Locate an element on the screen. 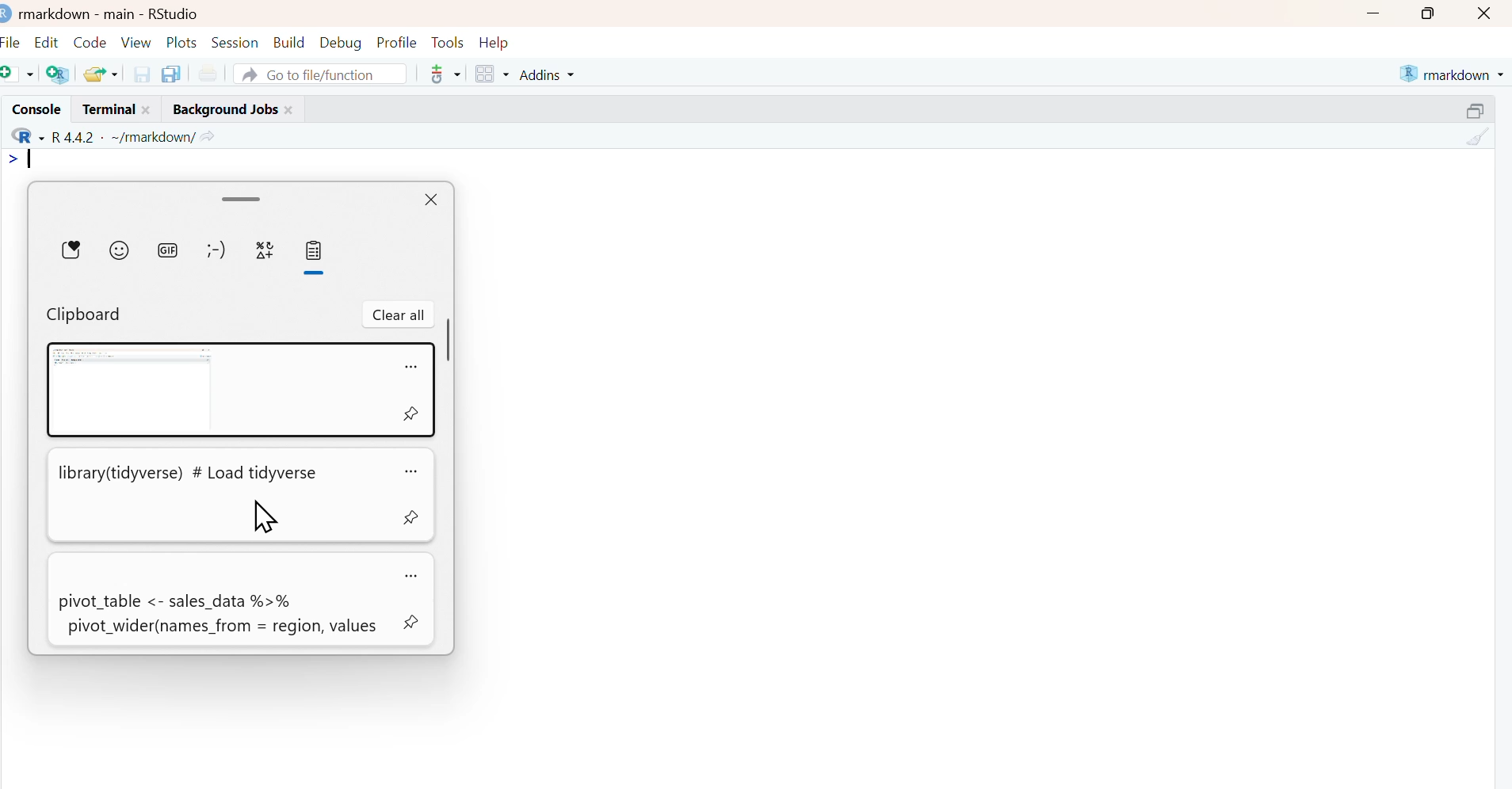  Go to file/function is located at coordinates (322, 73).